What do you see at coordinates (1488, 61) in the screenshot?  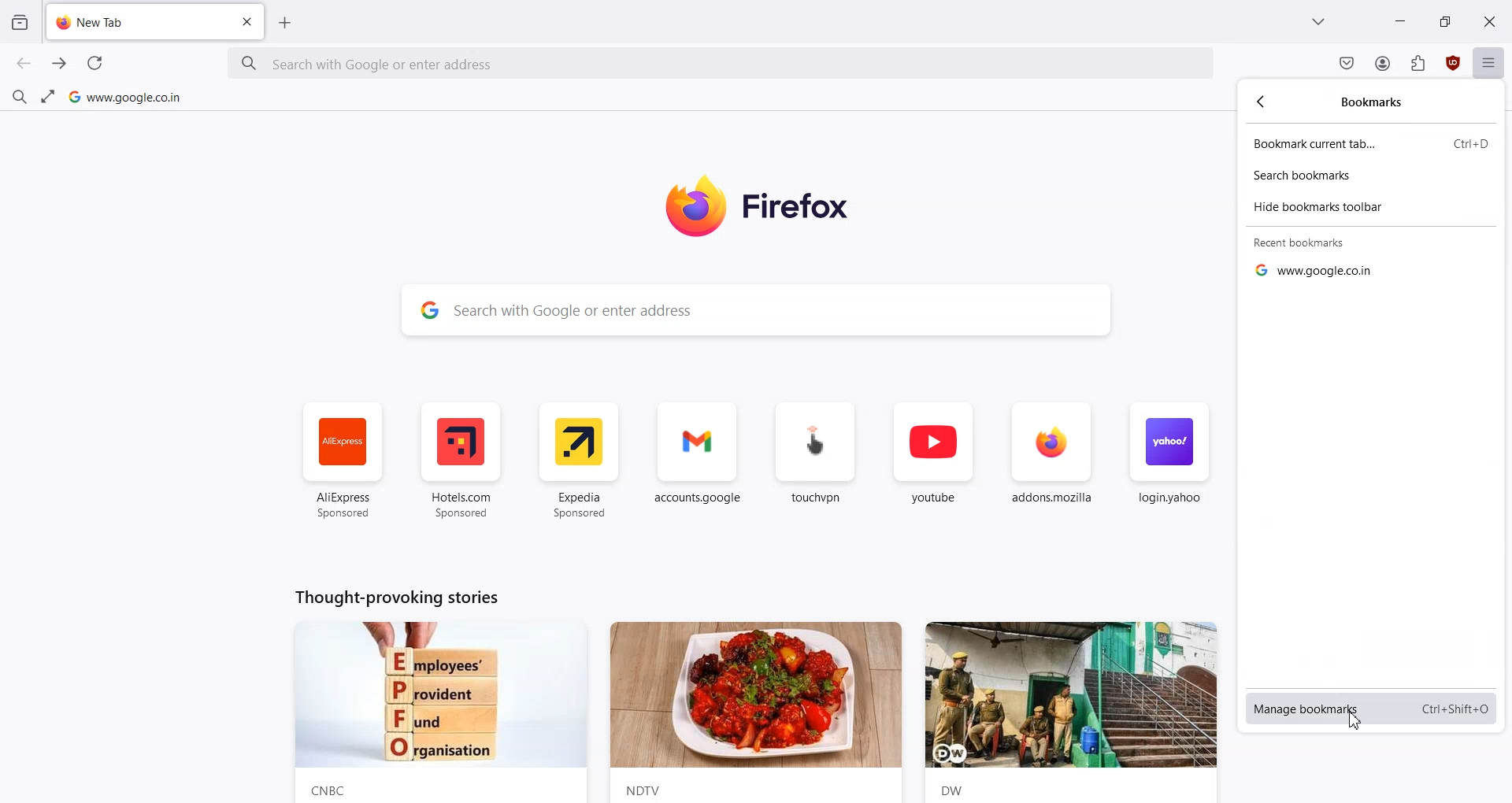 I see `Open application menu` at bounding box center [1488, 61].